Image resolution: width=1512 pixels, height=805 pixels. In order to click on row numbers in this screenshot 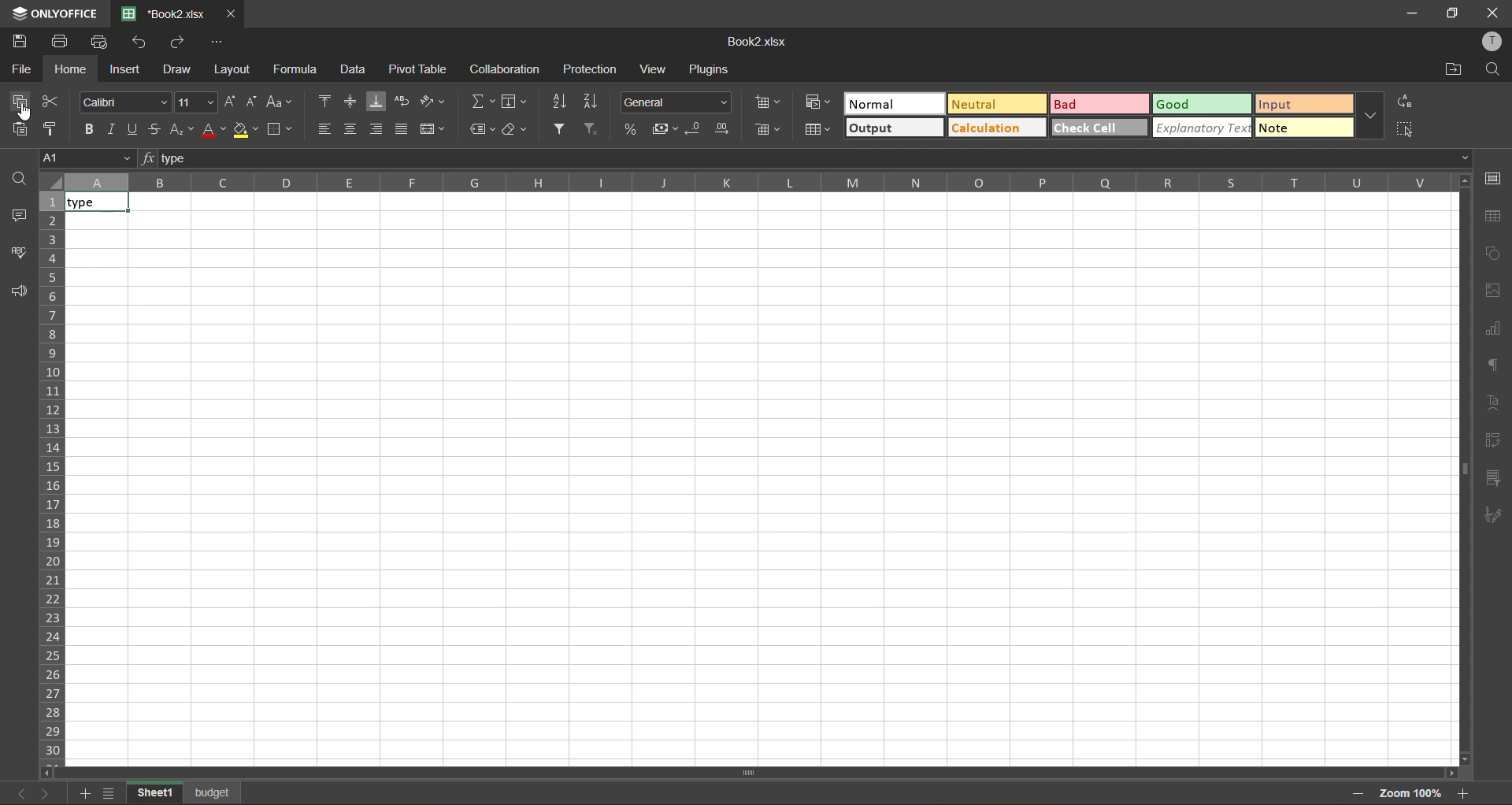, I will do `click(52, 478)`.